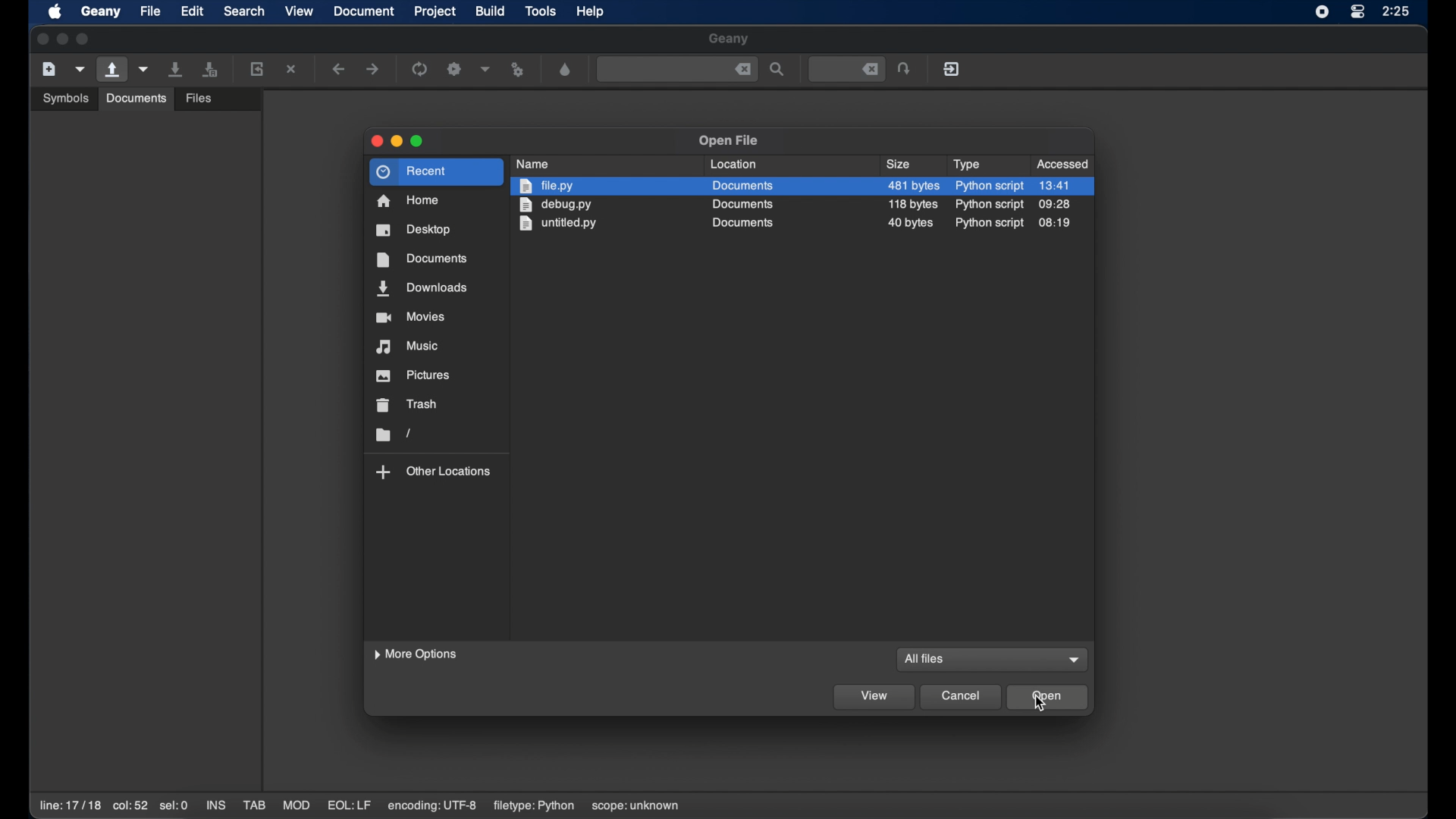  What do you see at coordinates (136, 100) in the screenshot?
I see `` at bounding box center [136, 100].